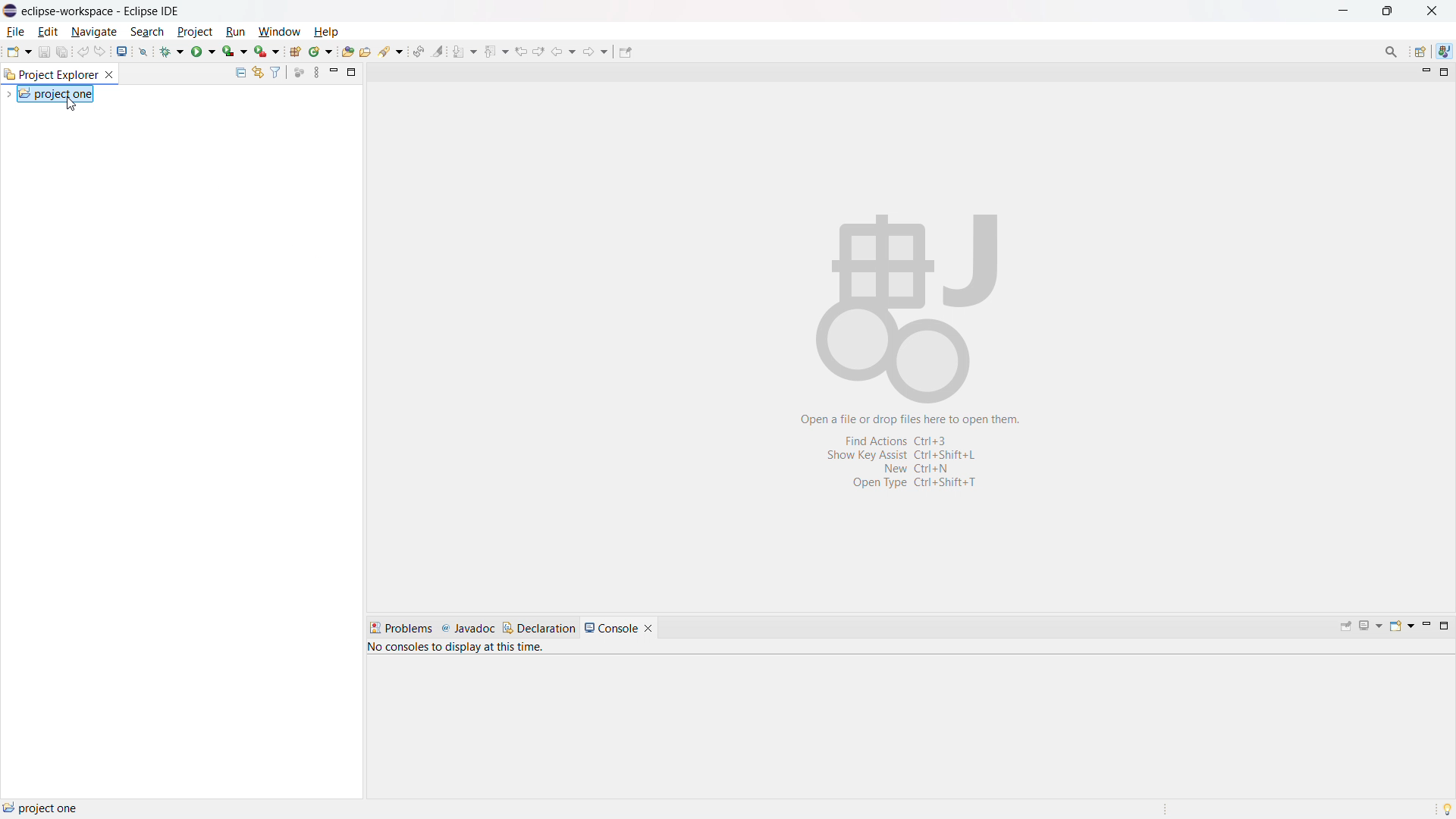  What do you see at coordinates (48, 33) in the screenshot?
I see `edit` at bounding box center [48, 33].